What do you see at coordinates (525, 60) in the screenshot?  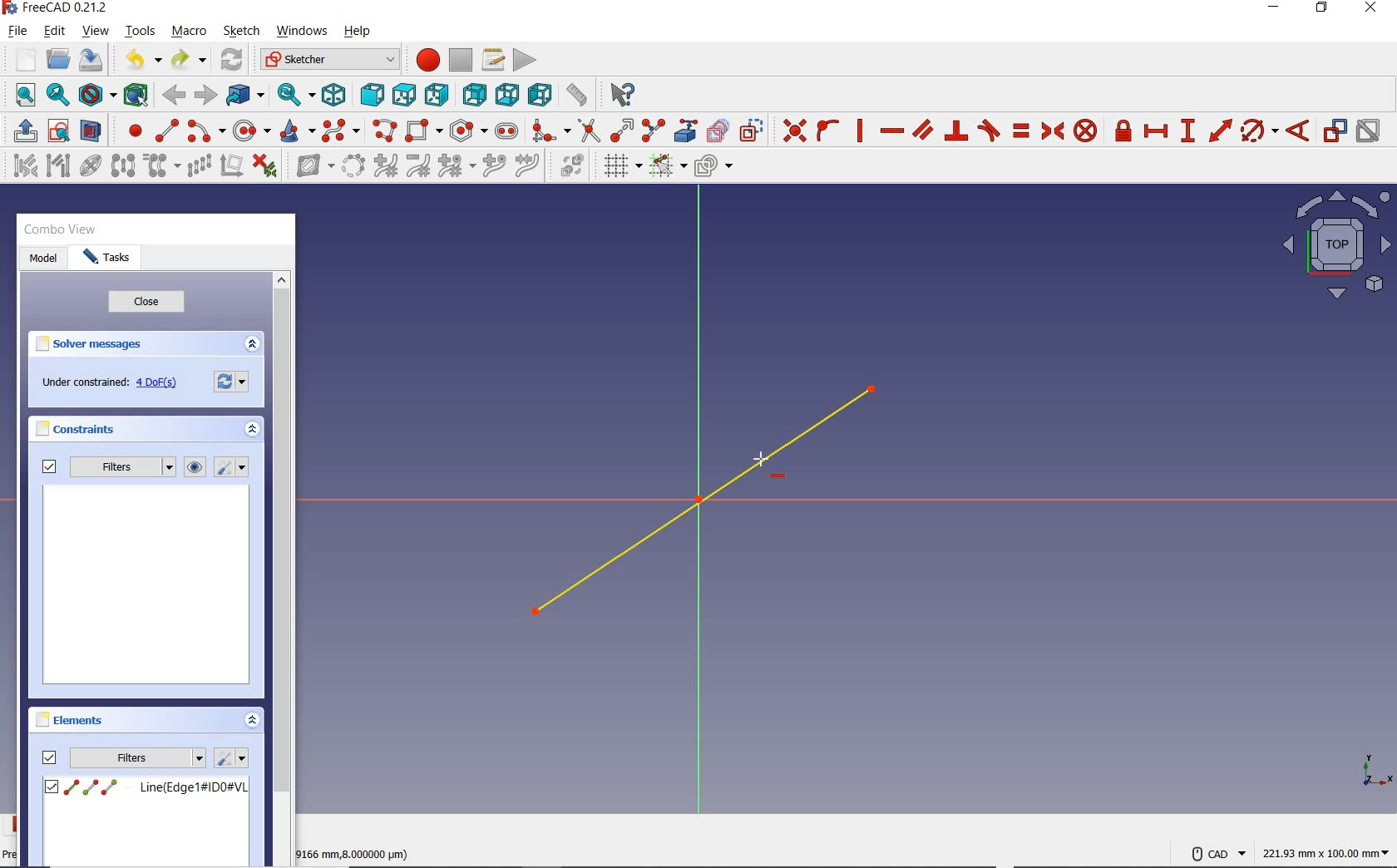 I see `EXECUTE MACRO` at bounding box center [525, 60].